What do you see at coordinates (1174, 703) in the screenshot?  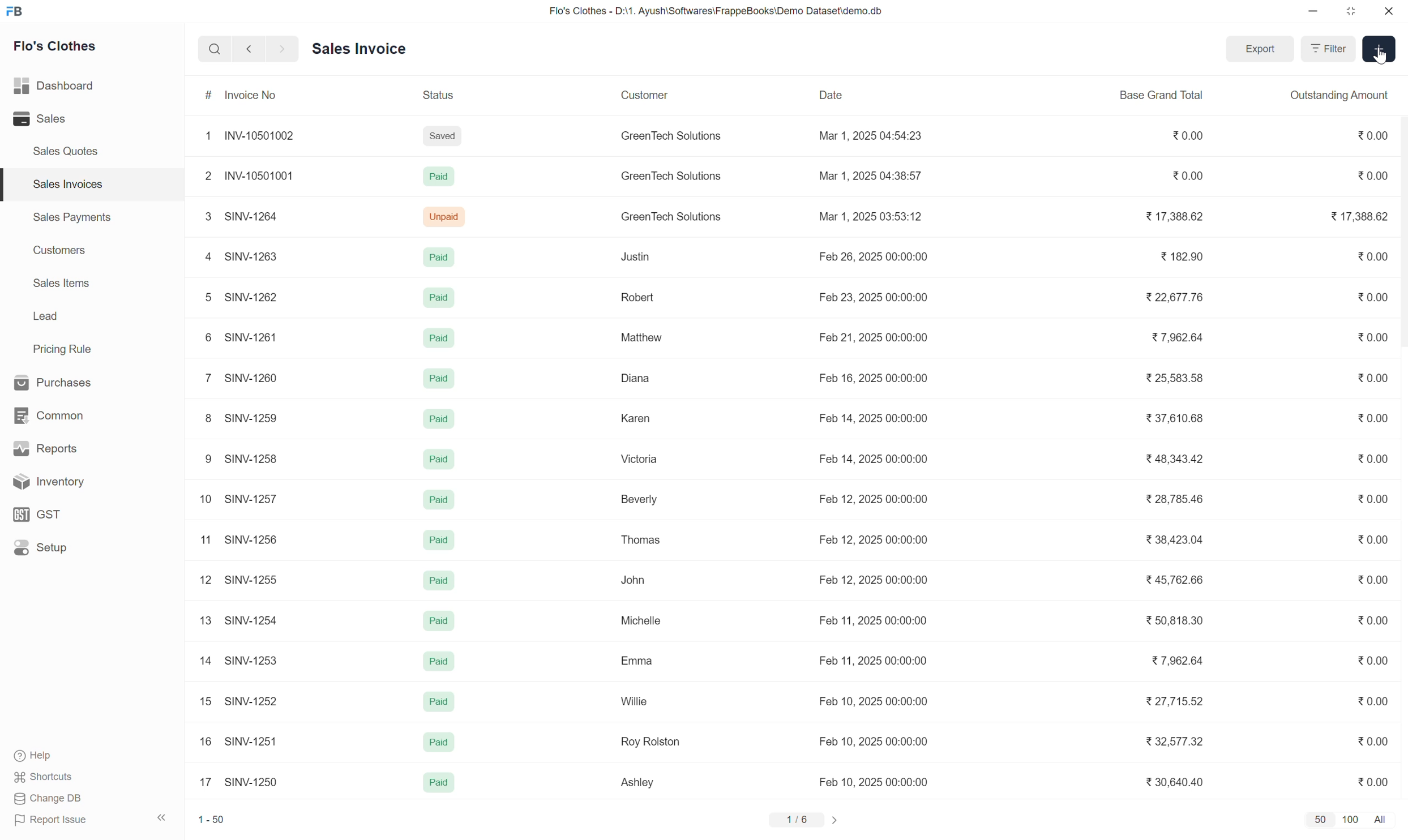 I see `₹27,715.52` at bounding box center [1174, 703].